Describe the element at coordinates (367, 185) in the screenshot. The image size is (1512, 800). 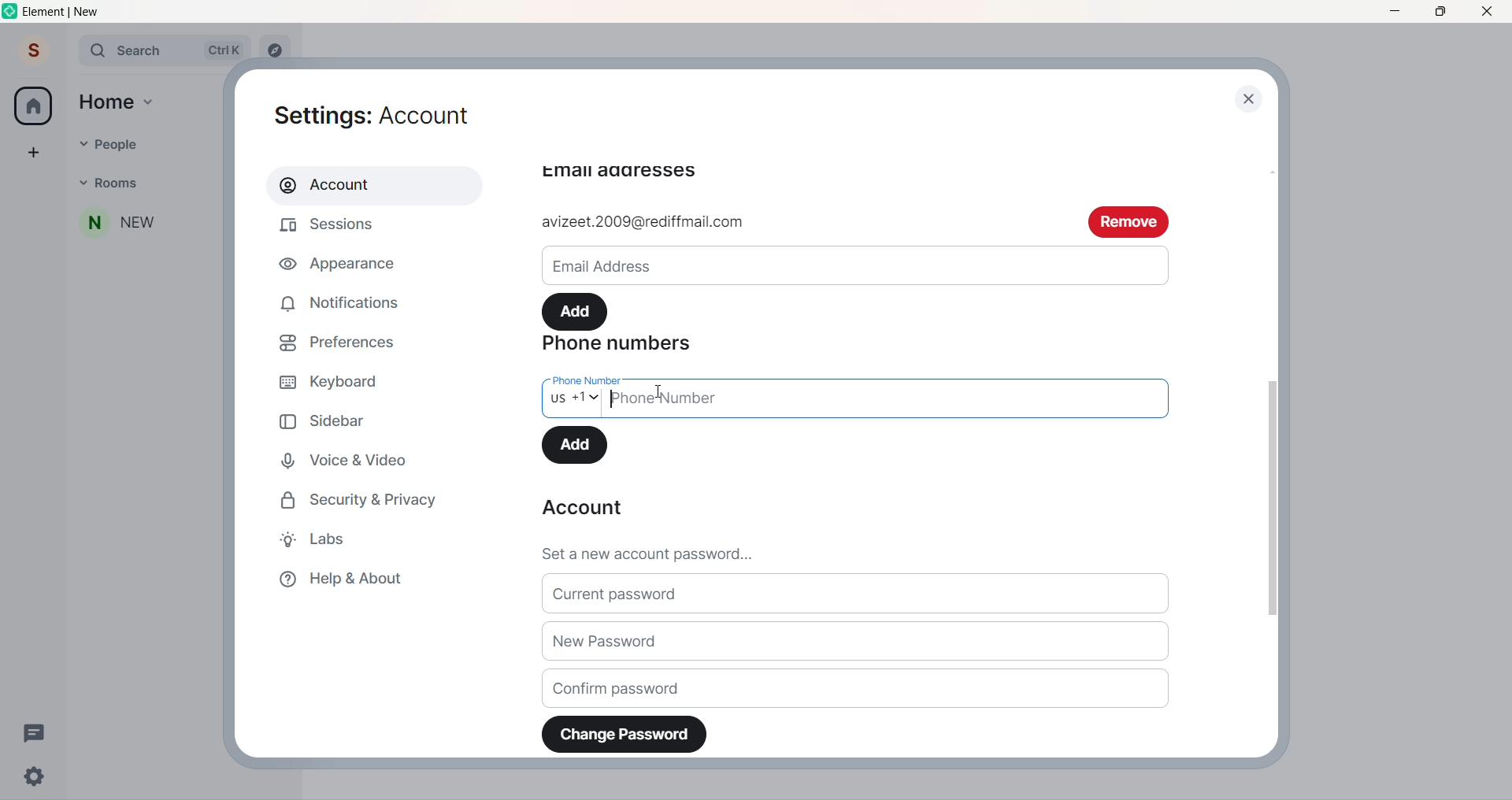
I see `Account` at that location.